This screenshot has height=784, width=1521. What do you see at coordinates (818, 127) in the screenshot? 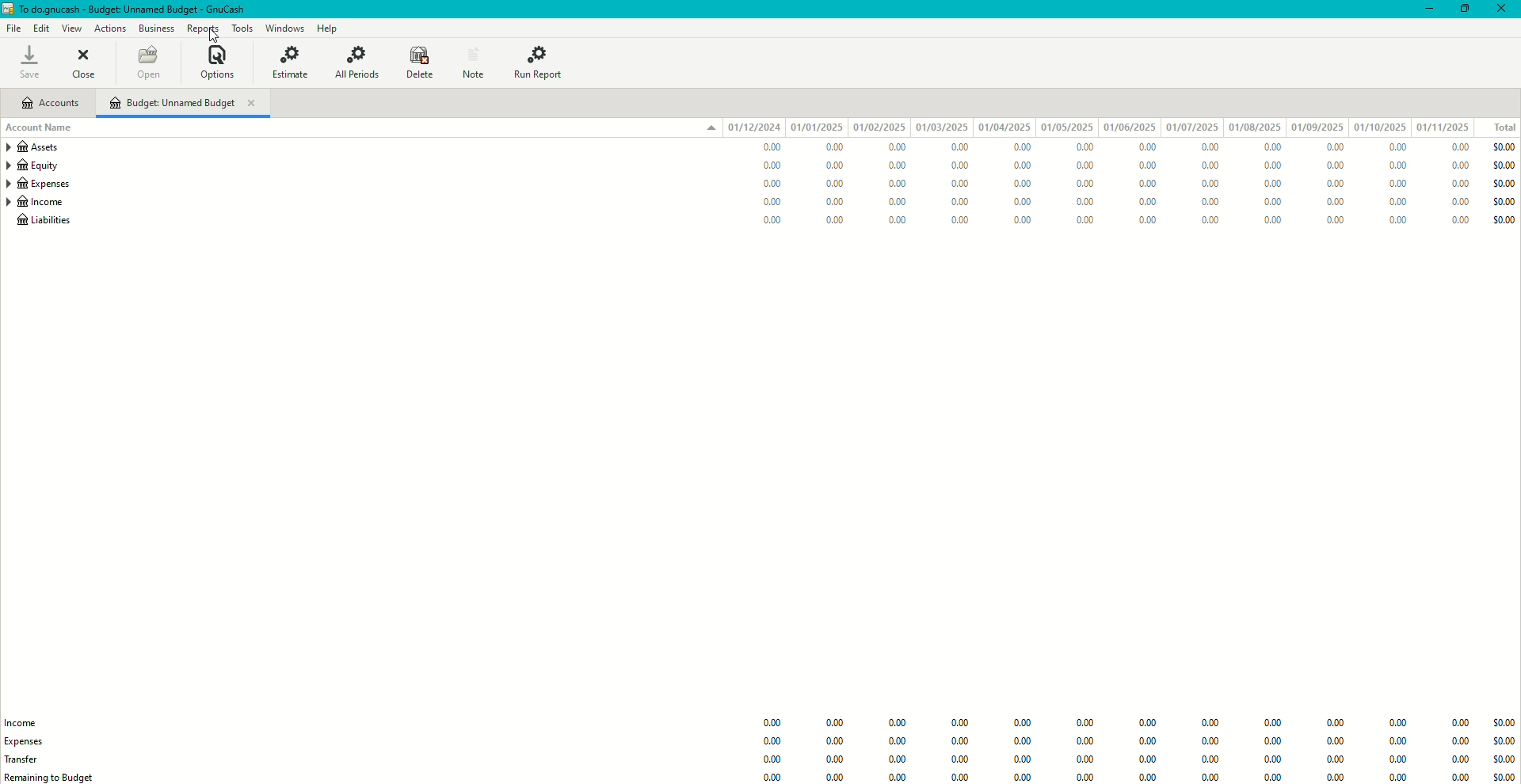
I see `01/01/2025` at bounding box center [818, 127].